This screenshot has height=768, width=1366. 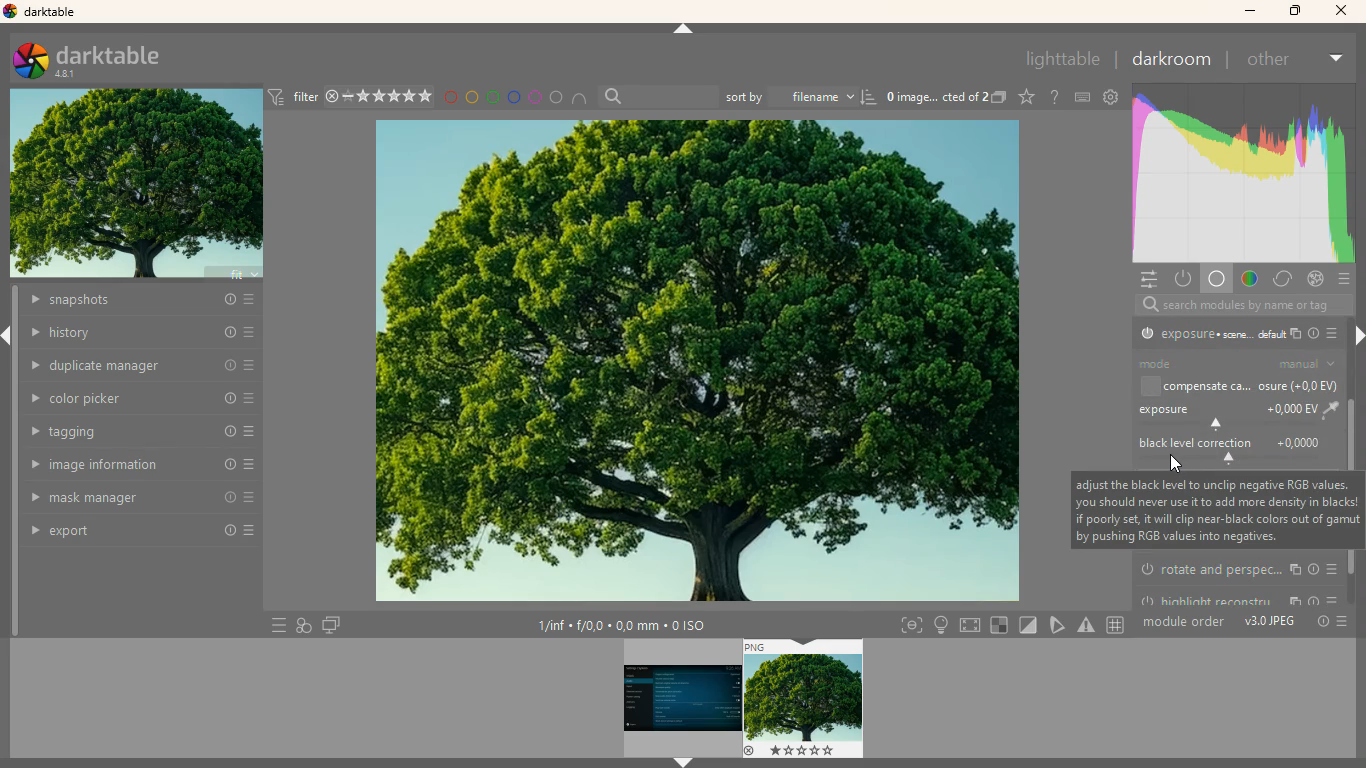 I want to click on effect, so click(x=1316, y=280).